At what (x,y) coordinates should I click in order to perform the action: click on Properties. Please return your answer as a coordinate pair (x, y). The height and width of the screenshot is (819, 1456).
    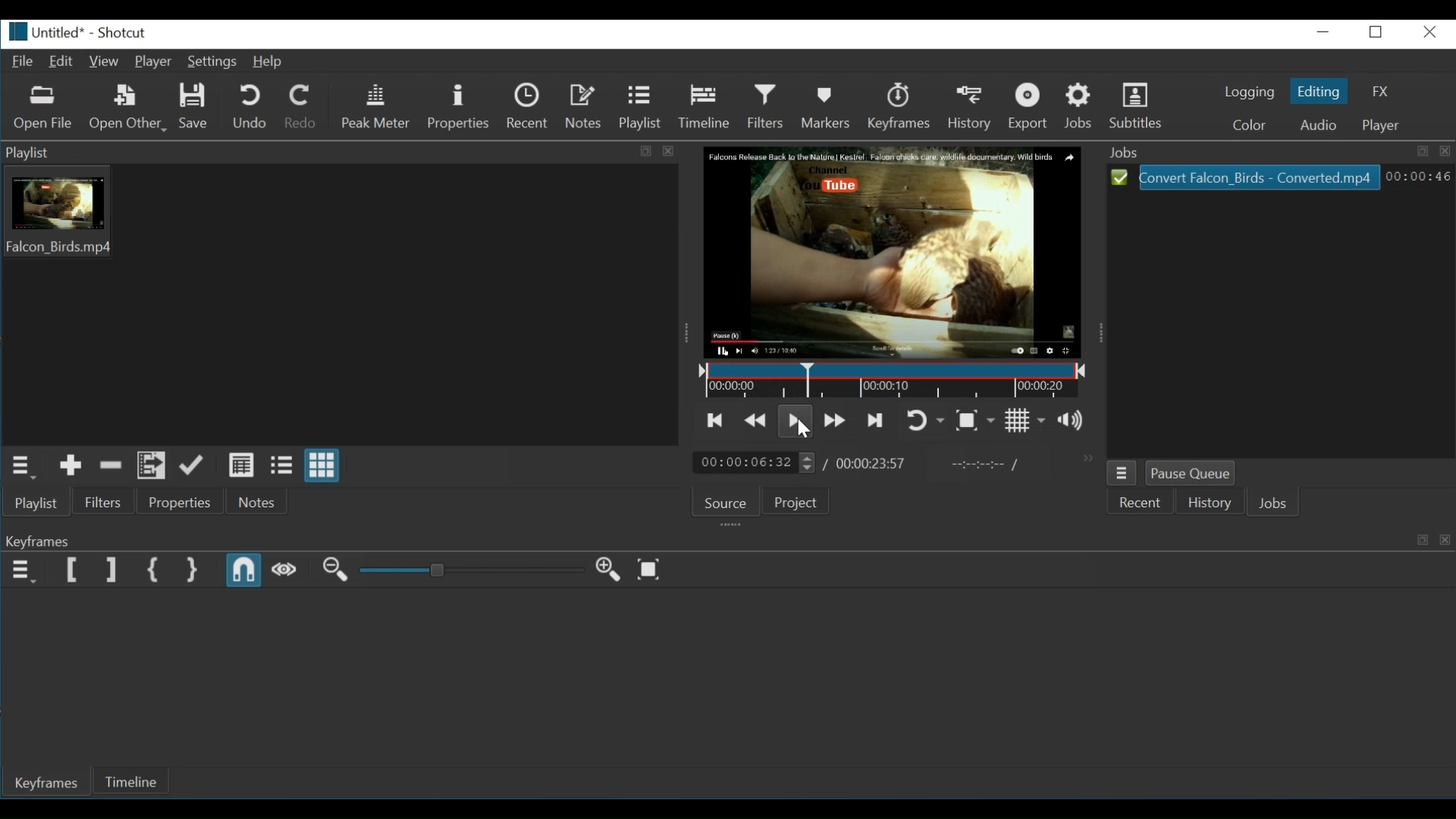
    Looking at the image, I should click on (458, 106).